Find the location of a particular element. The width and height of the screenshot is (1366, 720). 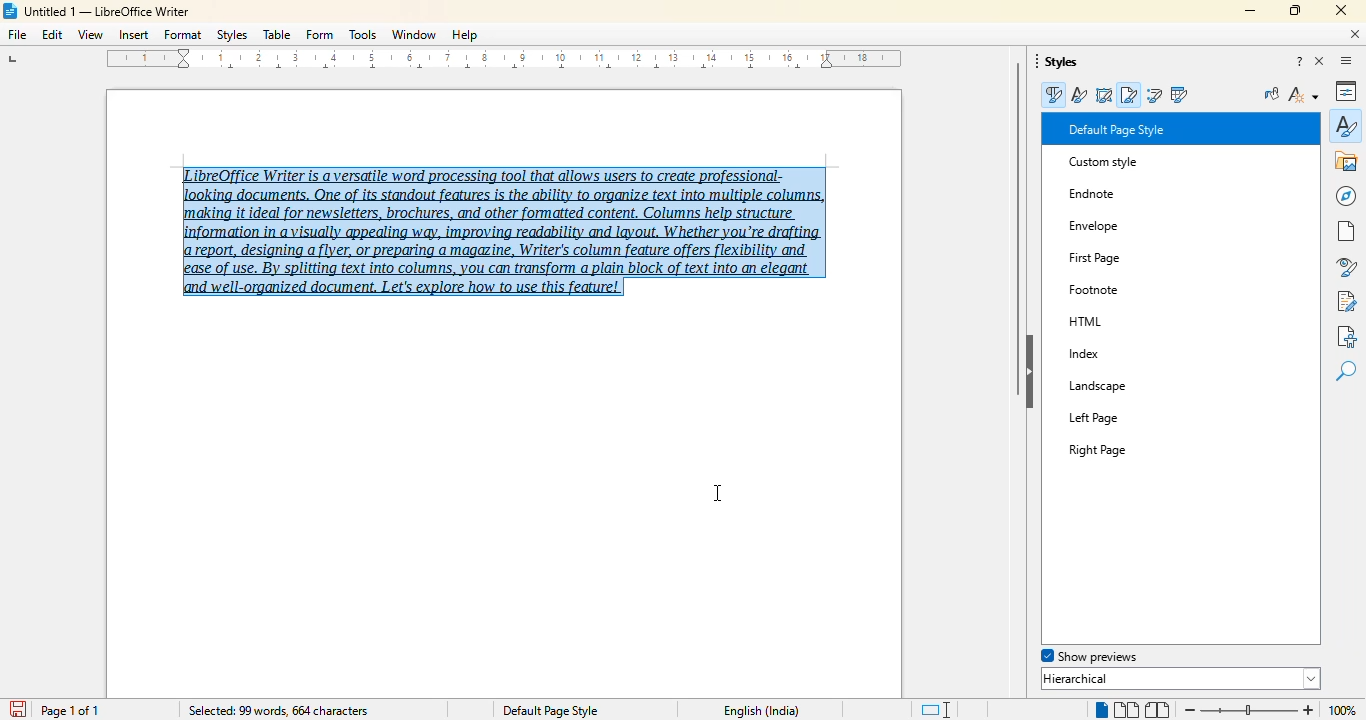

Envelope is located at coordinates (1136, 190).